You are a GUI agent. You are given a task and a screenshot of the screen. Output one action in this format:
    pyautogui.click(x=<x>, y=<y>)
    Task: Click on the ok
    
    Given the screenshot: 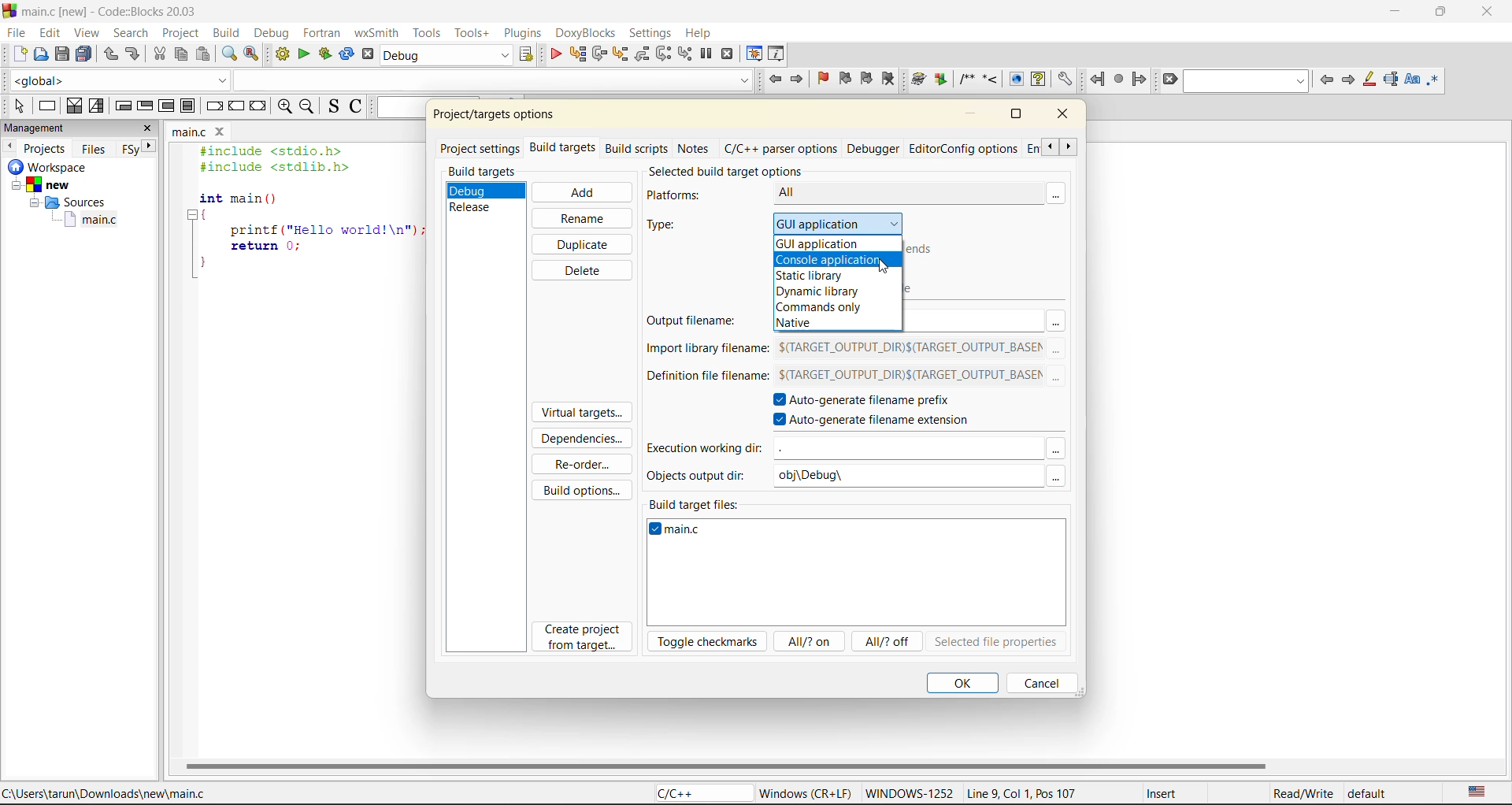 What is the action you would take?
    pyautogui.click(x=962, y=682)
    